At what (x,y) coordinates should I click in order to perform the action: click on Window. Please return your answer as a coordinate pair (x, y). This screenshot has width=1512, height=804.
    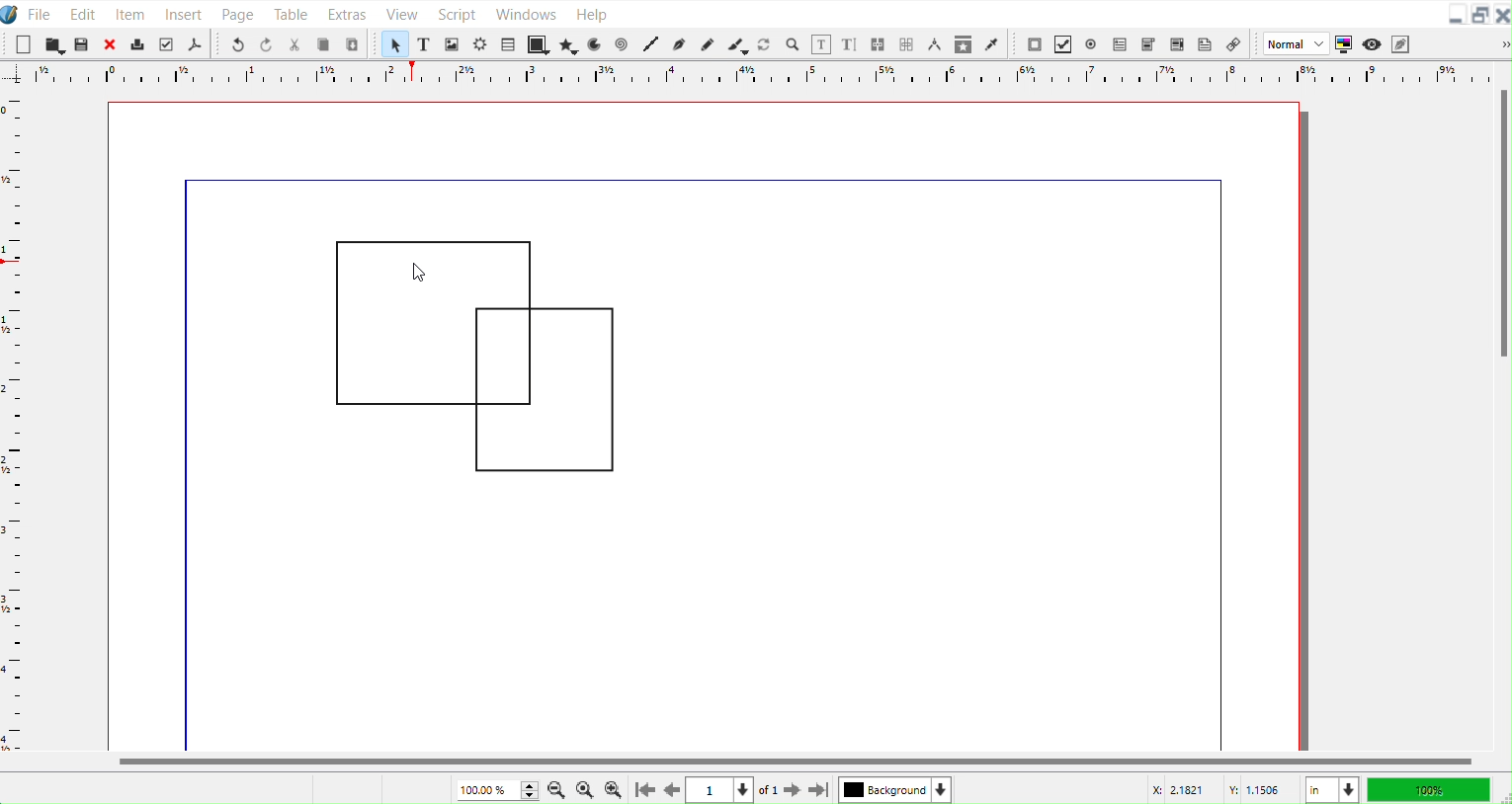
    Looking at the image, I should click on (527, 13).